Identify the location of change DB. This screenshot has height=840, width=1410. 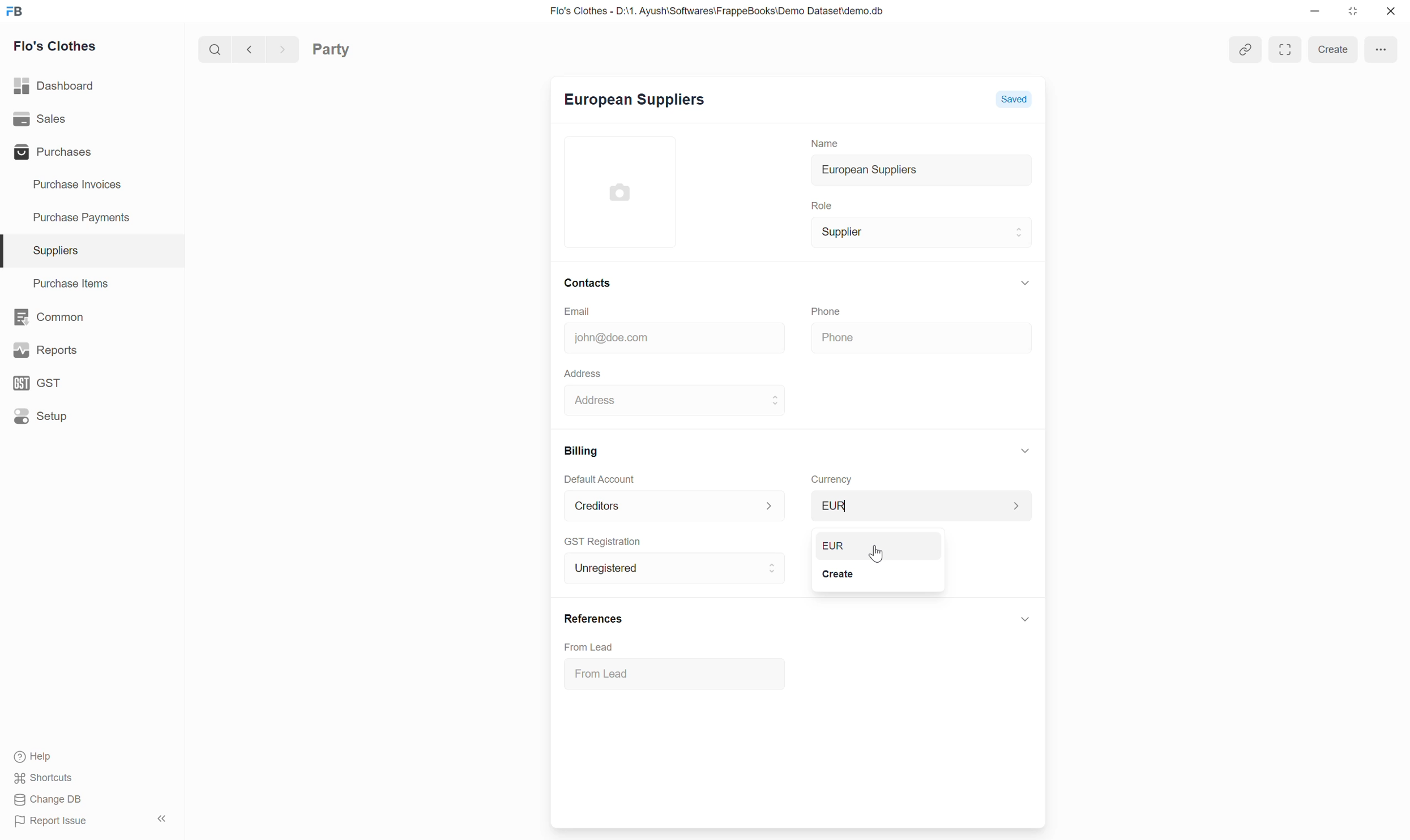
(48, 799).